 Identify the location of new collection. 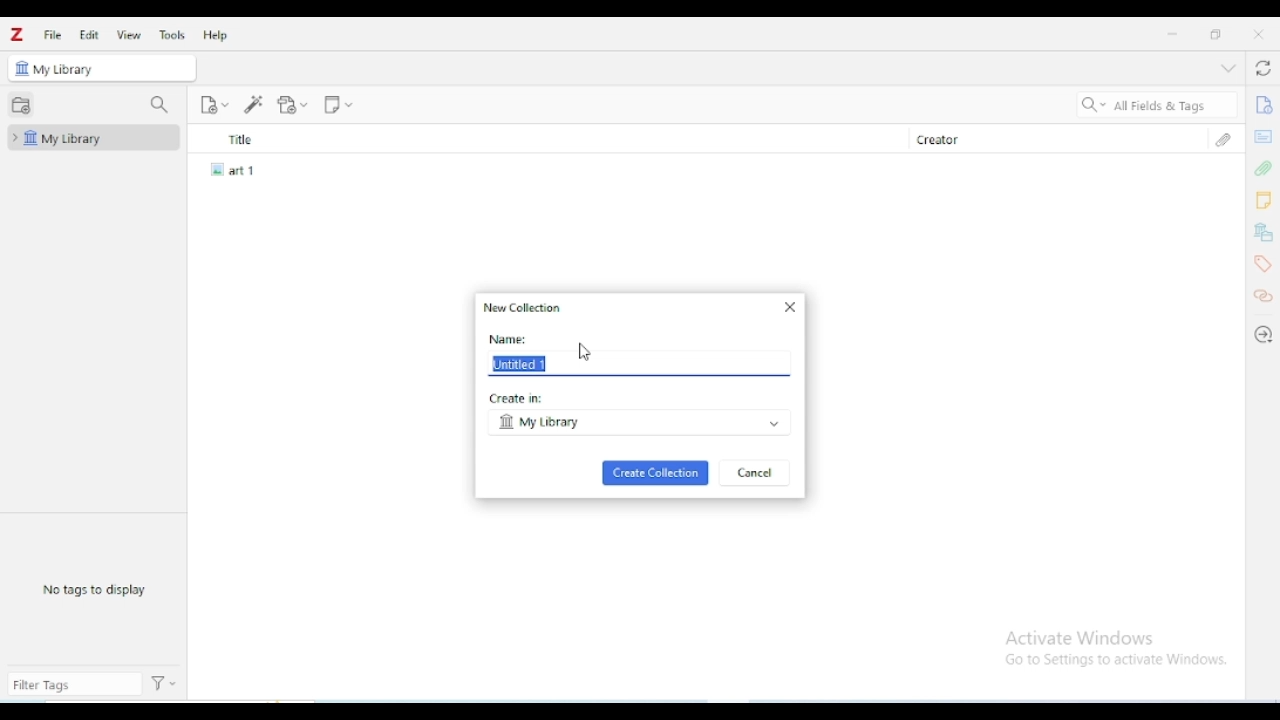
(20, 103).